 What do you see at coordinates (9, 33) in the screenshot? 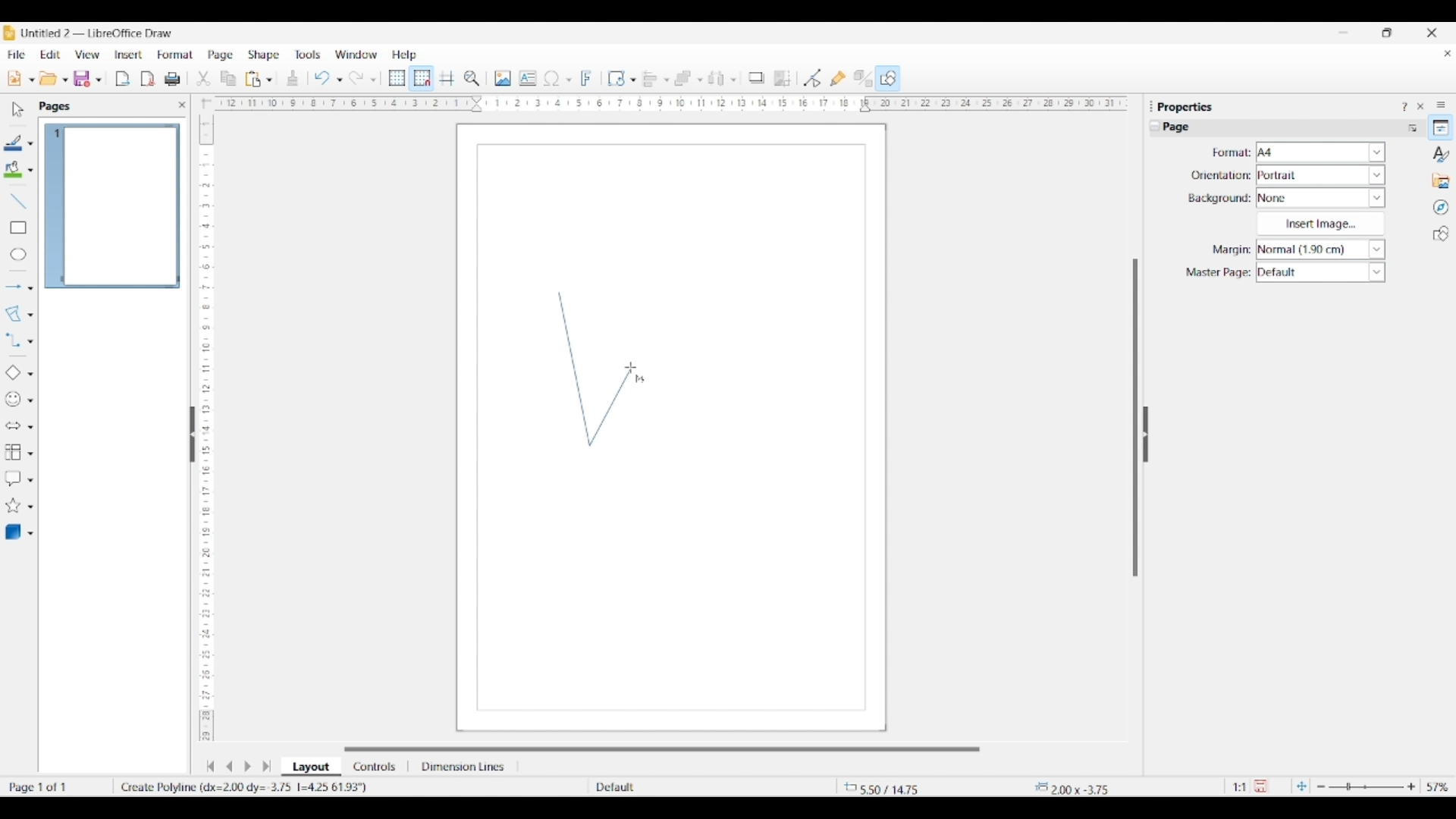
I see `Software logo` at bounding box center [9, 33].